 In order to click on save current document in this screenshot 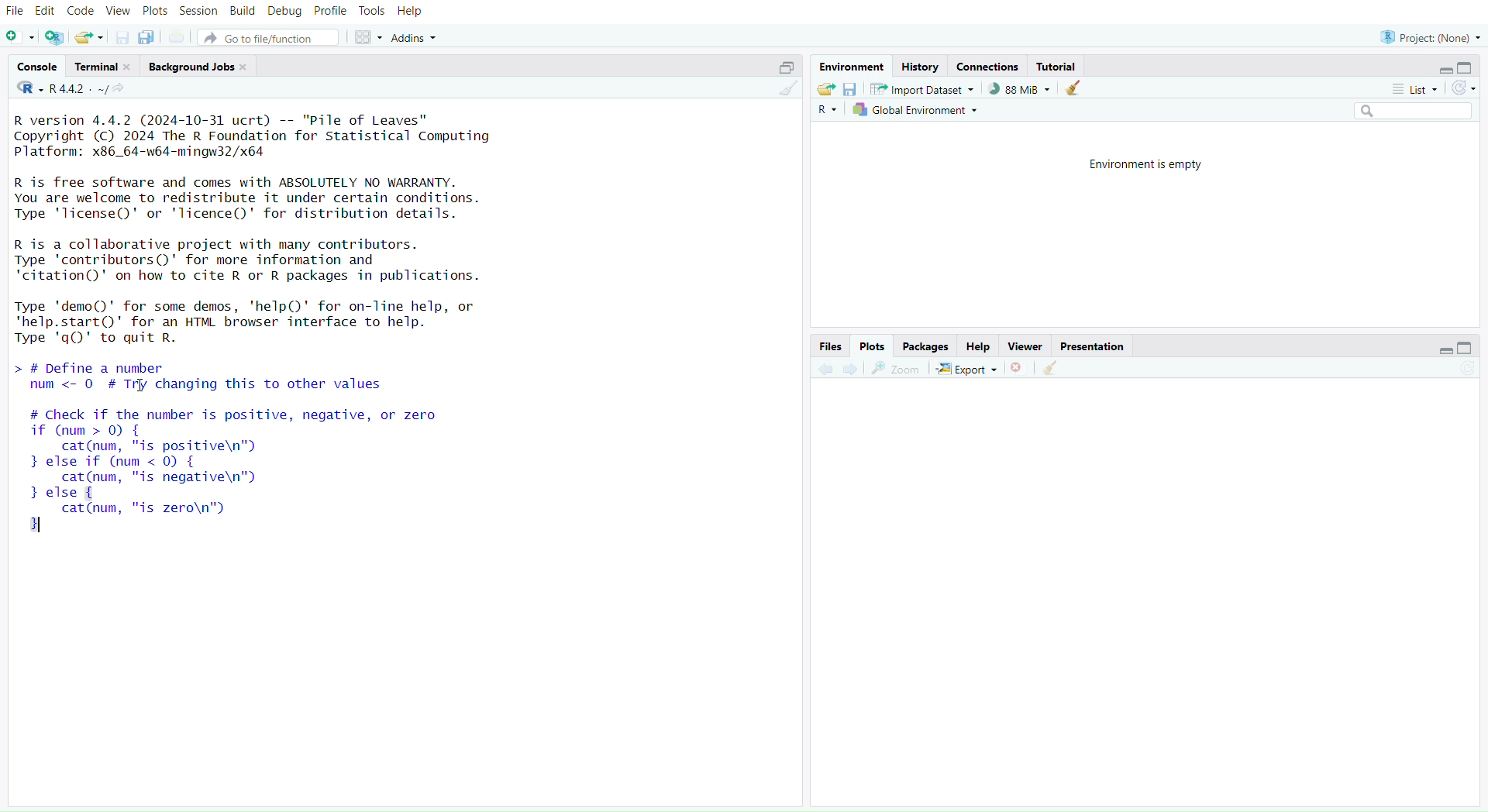, I will do `click(122, 39)`.